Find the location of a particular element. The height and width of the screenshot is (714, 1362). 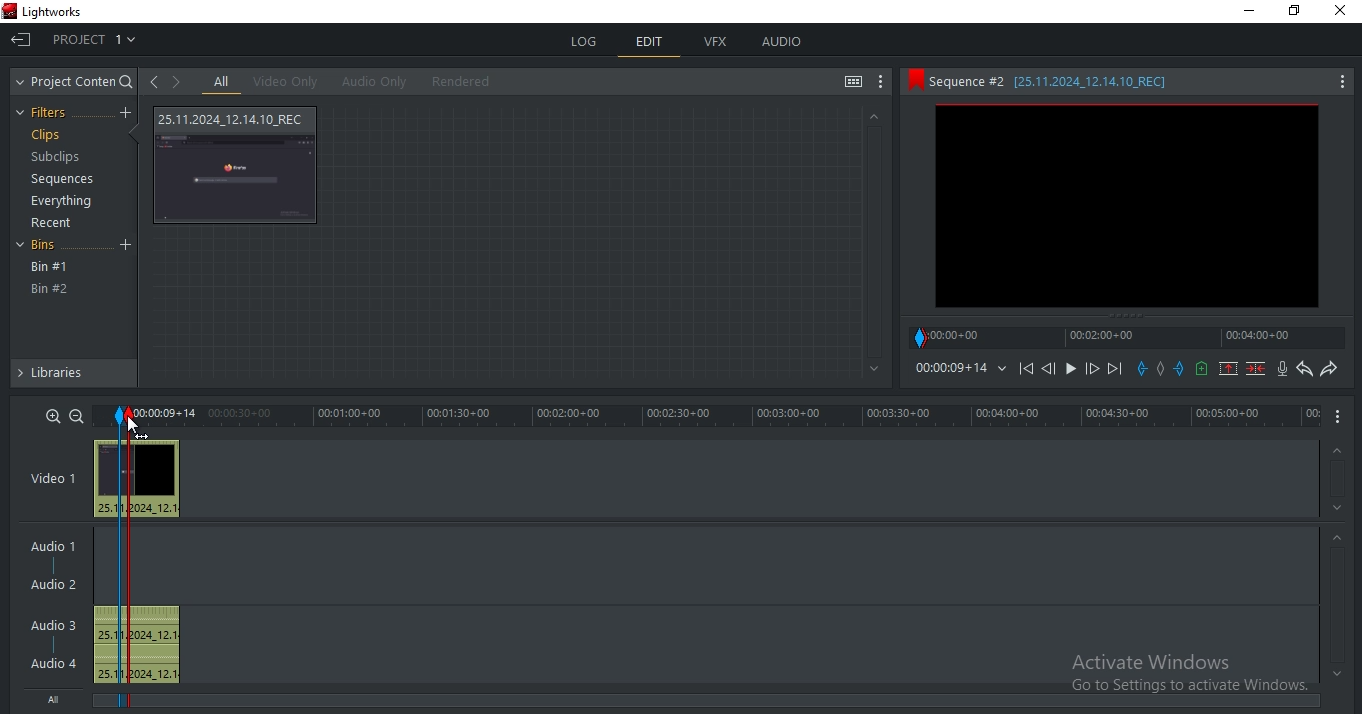

delete marked section is located at coordinates (1256, 369).